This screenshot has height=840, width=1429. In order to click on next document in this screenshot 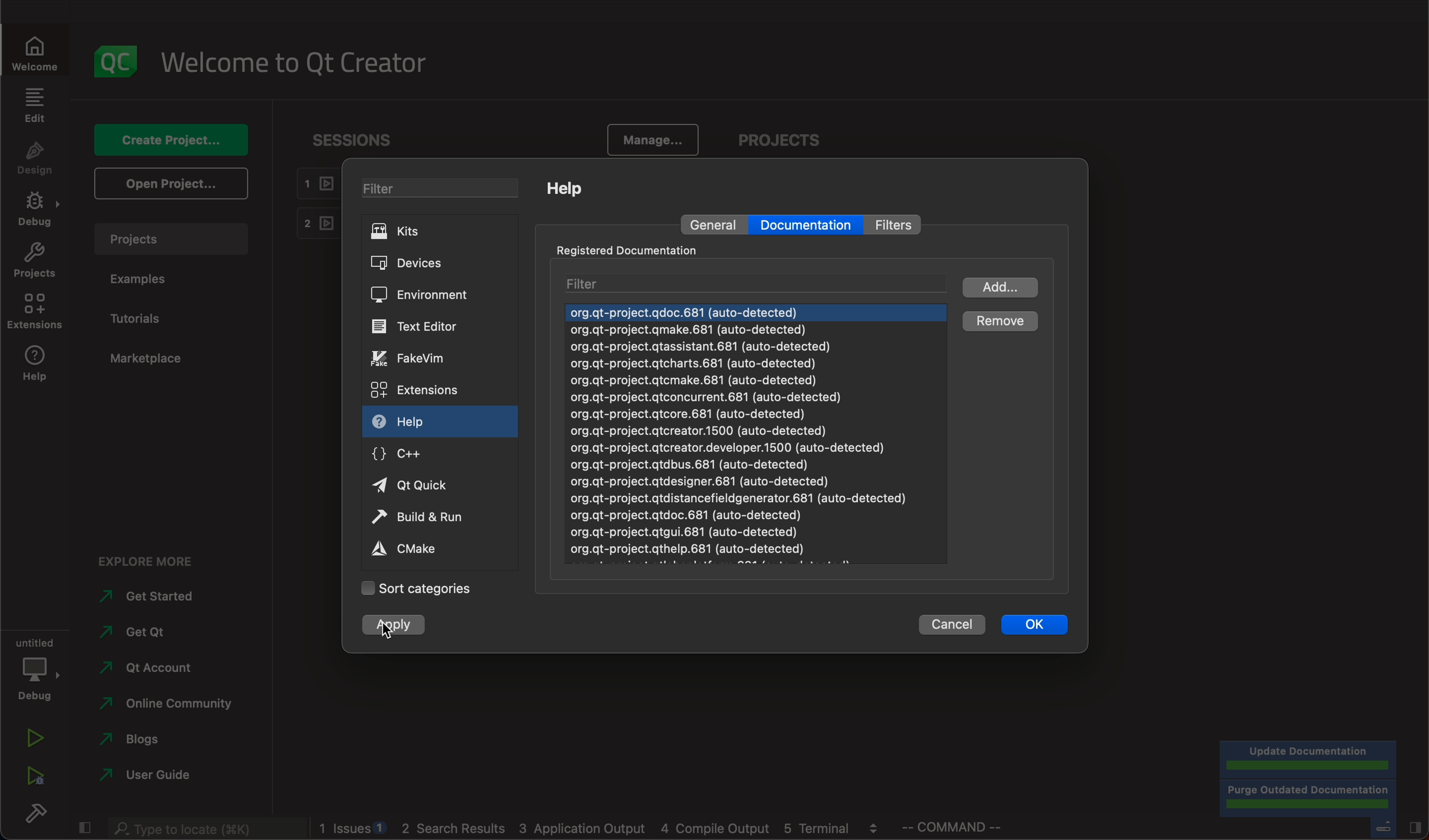, I will do `click(758, 313)`.